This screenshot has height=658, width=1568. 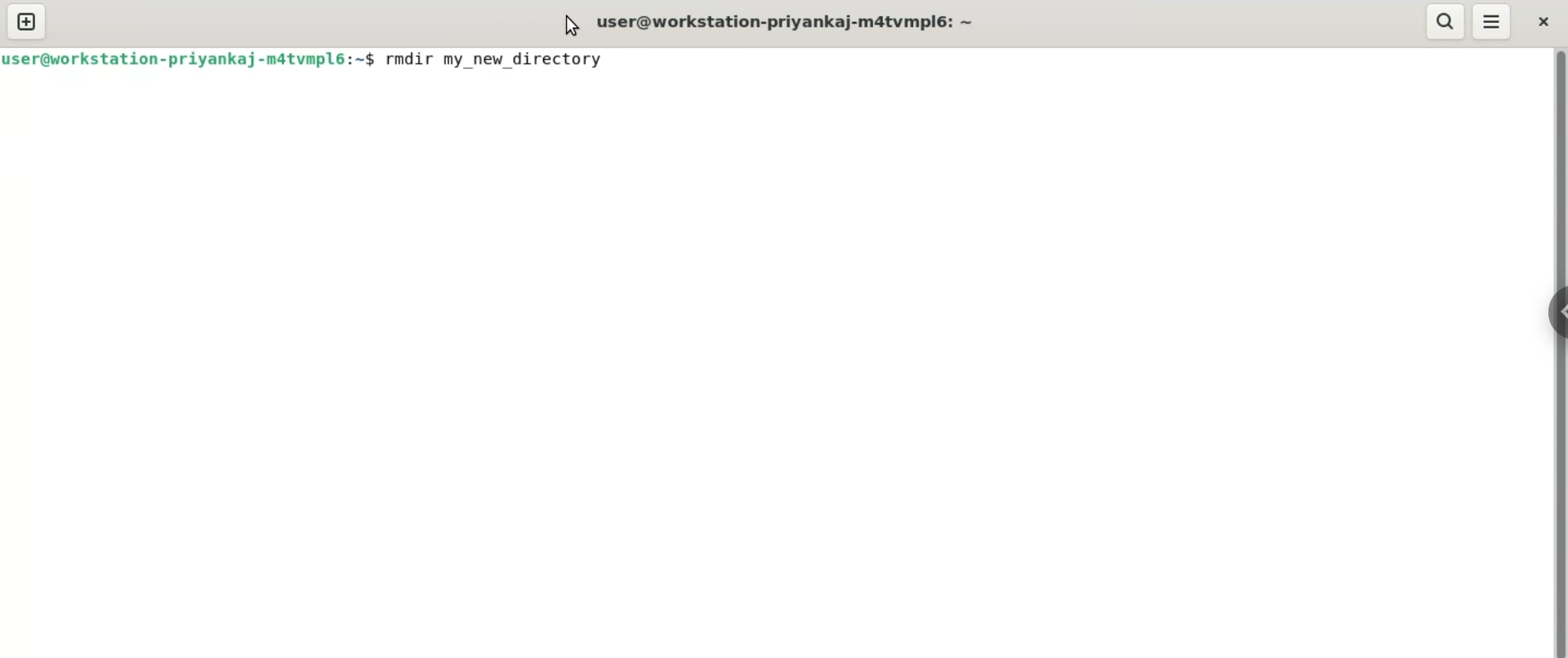 I want to click on search, so click(x=1444, y=21).